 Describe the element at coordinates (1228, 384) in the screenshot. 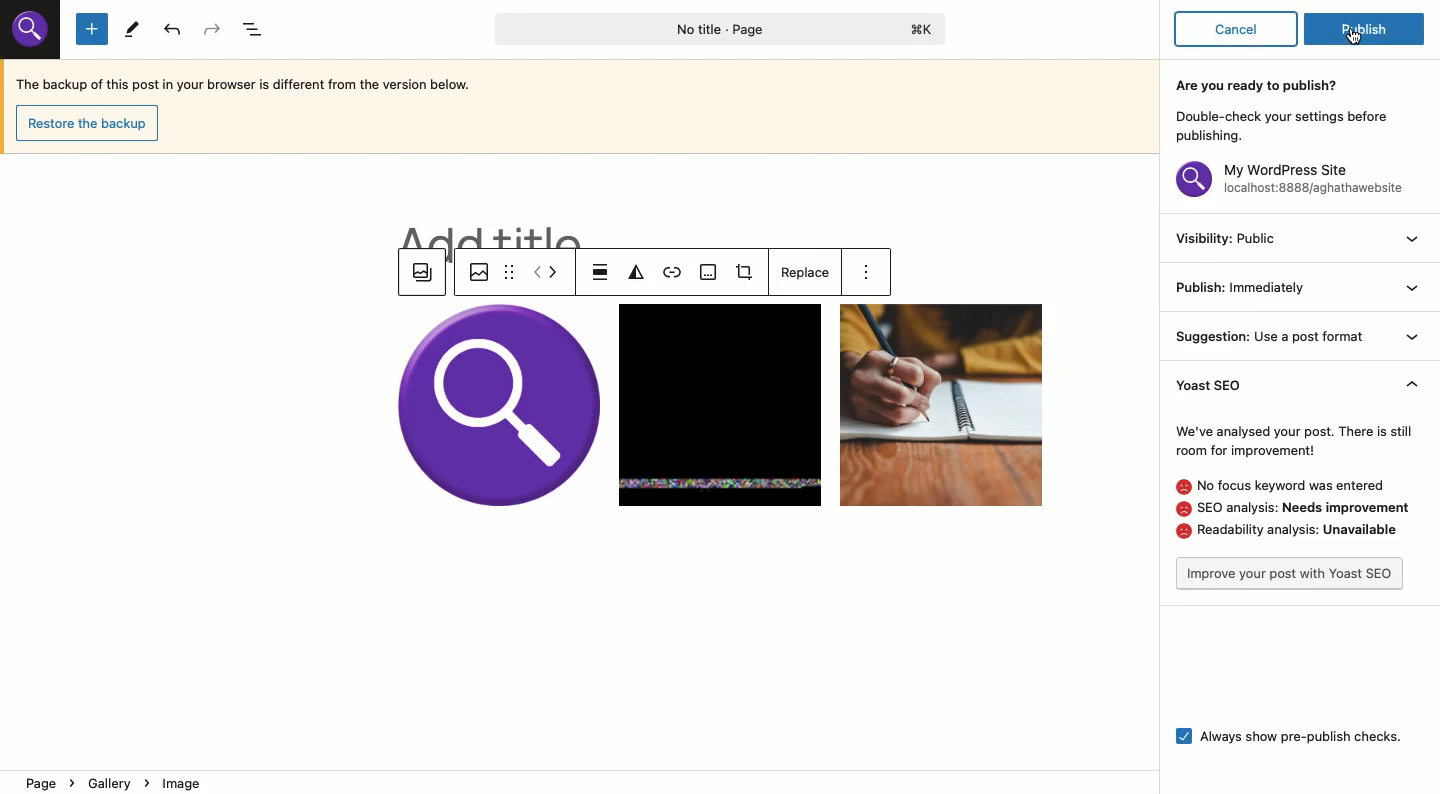

I see `Yoast SEO` at that location.